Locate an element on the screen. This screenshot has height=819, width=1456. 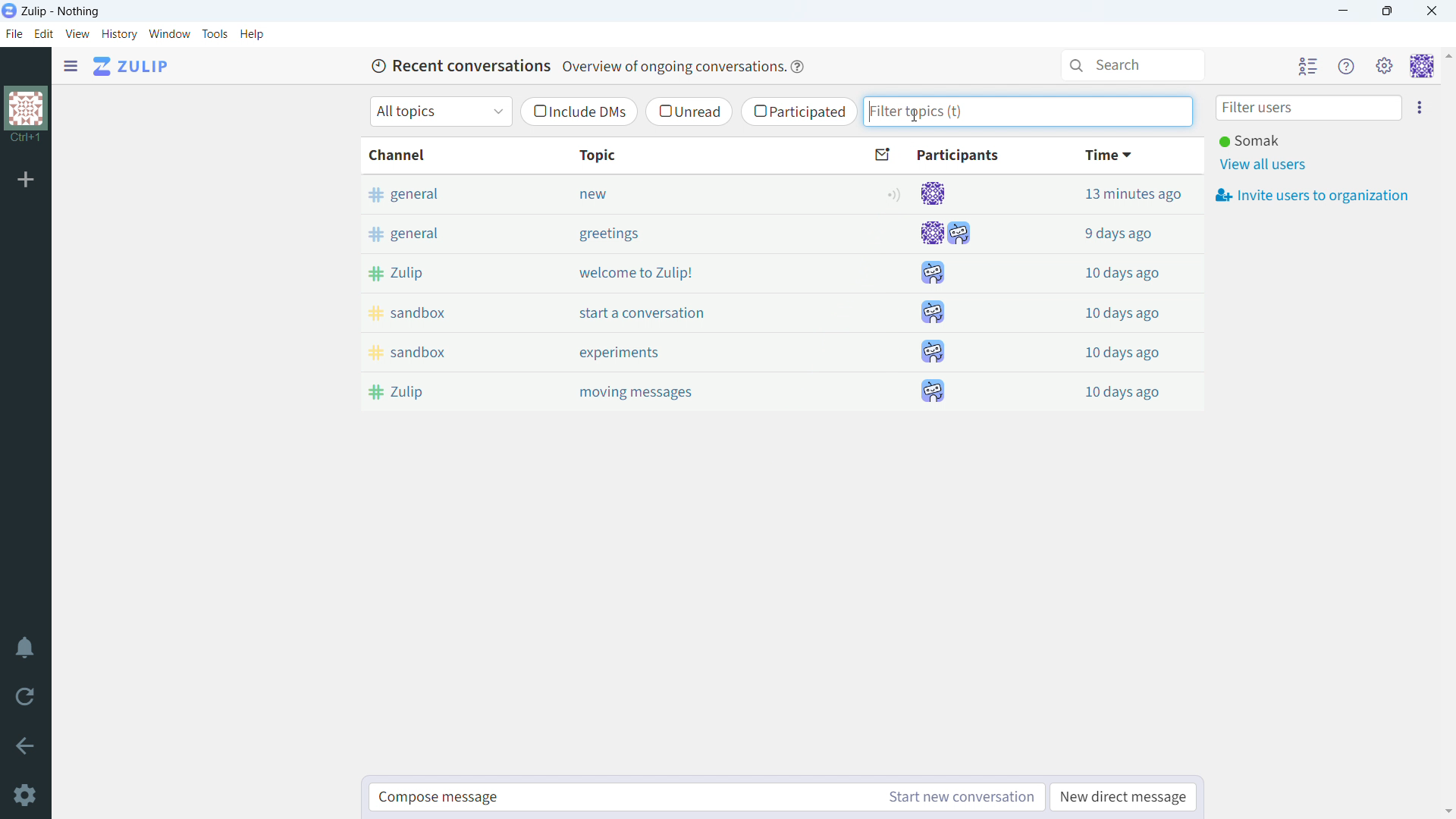
scroll down is located at coordinates (1447, 811).